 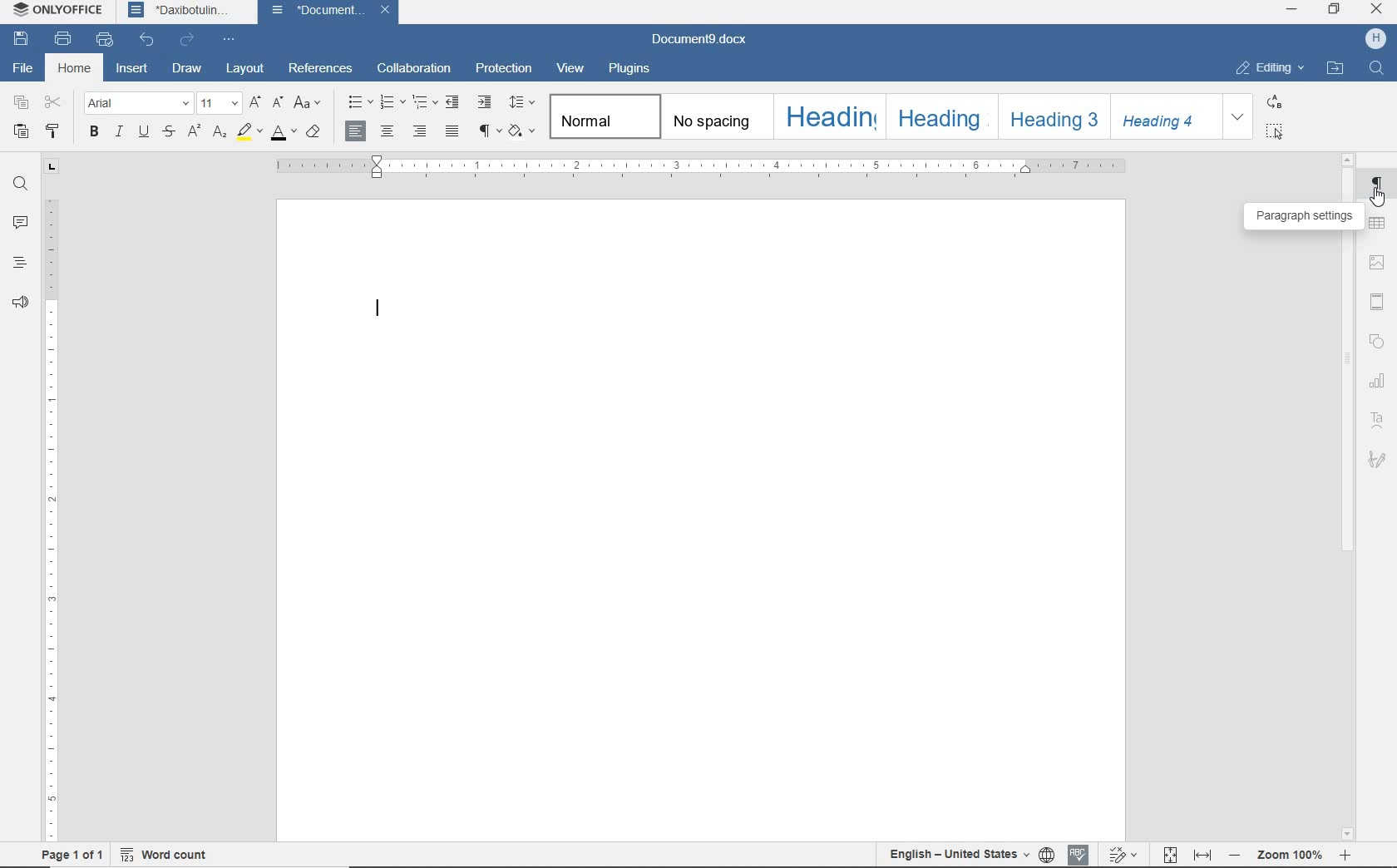 What do you see at coordinates (381, 312) in the screenshot?
I see `editor` at bounding box center [381, 312].